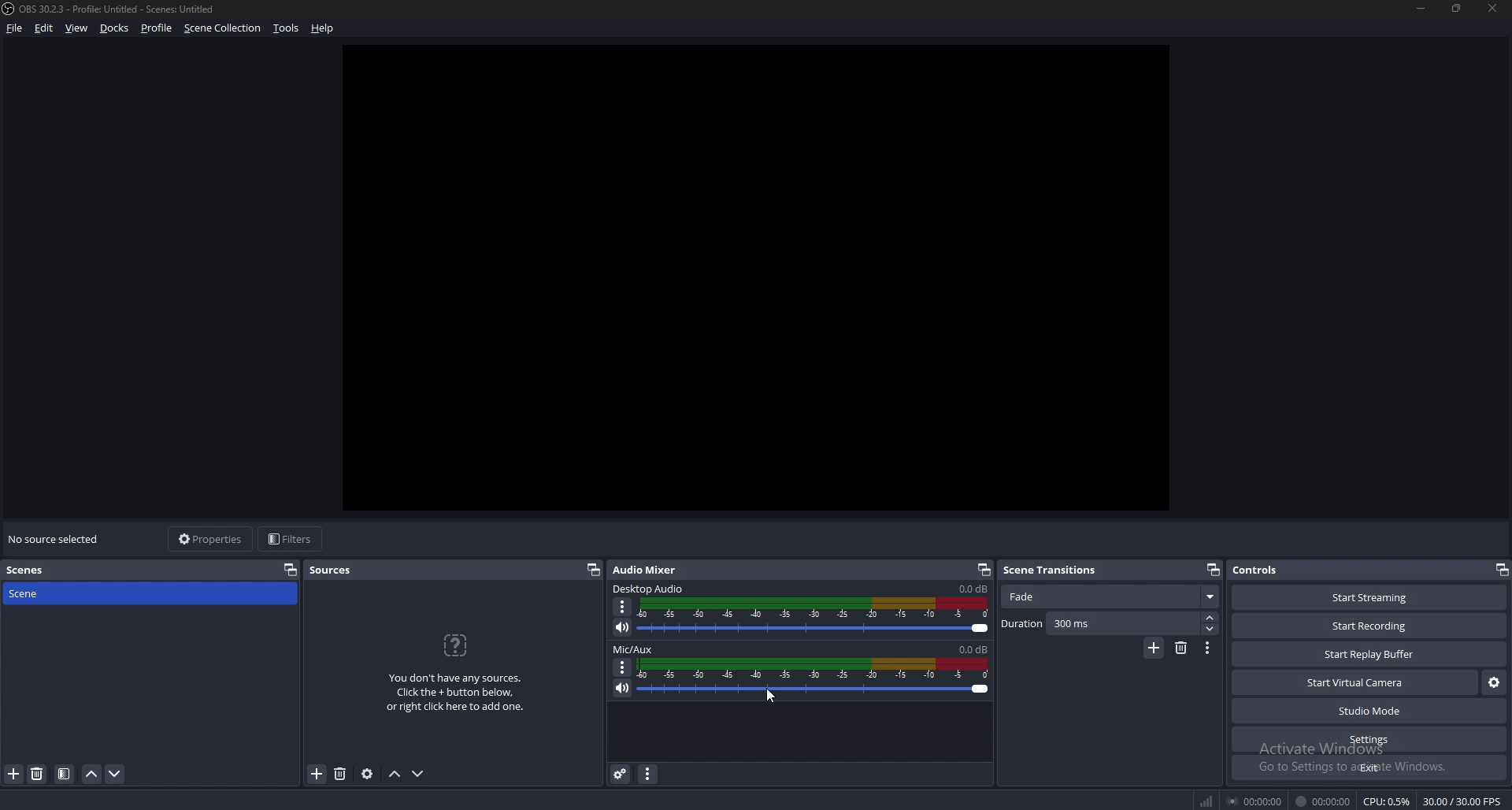  Describe the element at coordinates (770, 697) in the screenshot. I see `cursor` at that location.